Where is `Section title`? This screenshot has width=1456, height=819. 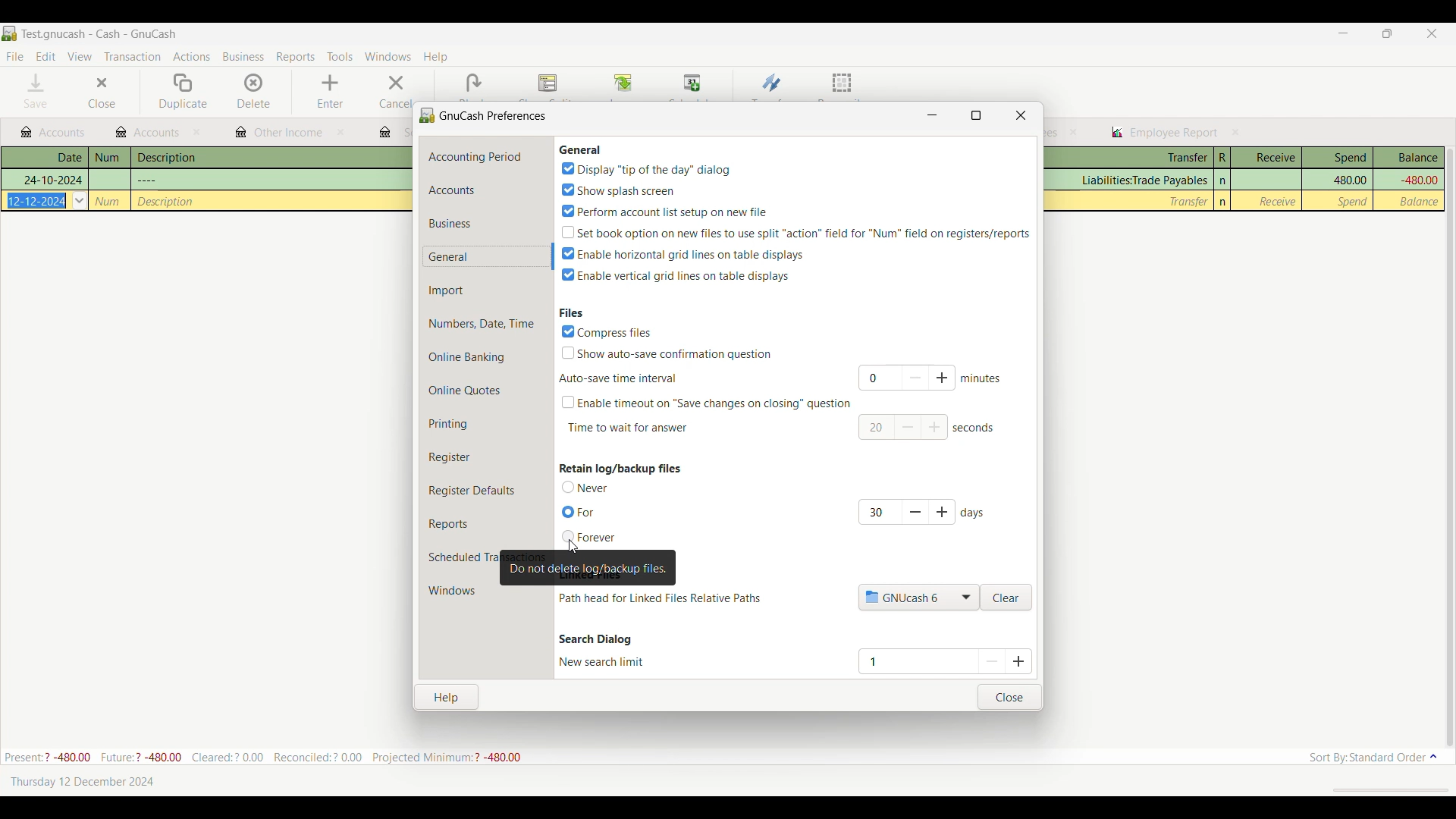
Section title is located at coordinates (595, 639).